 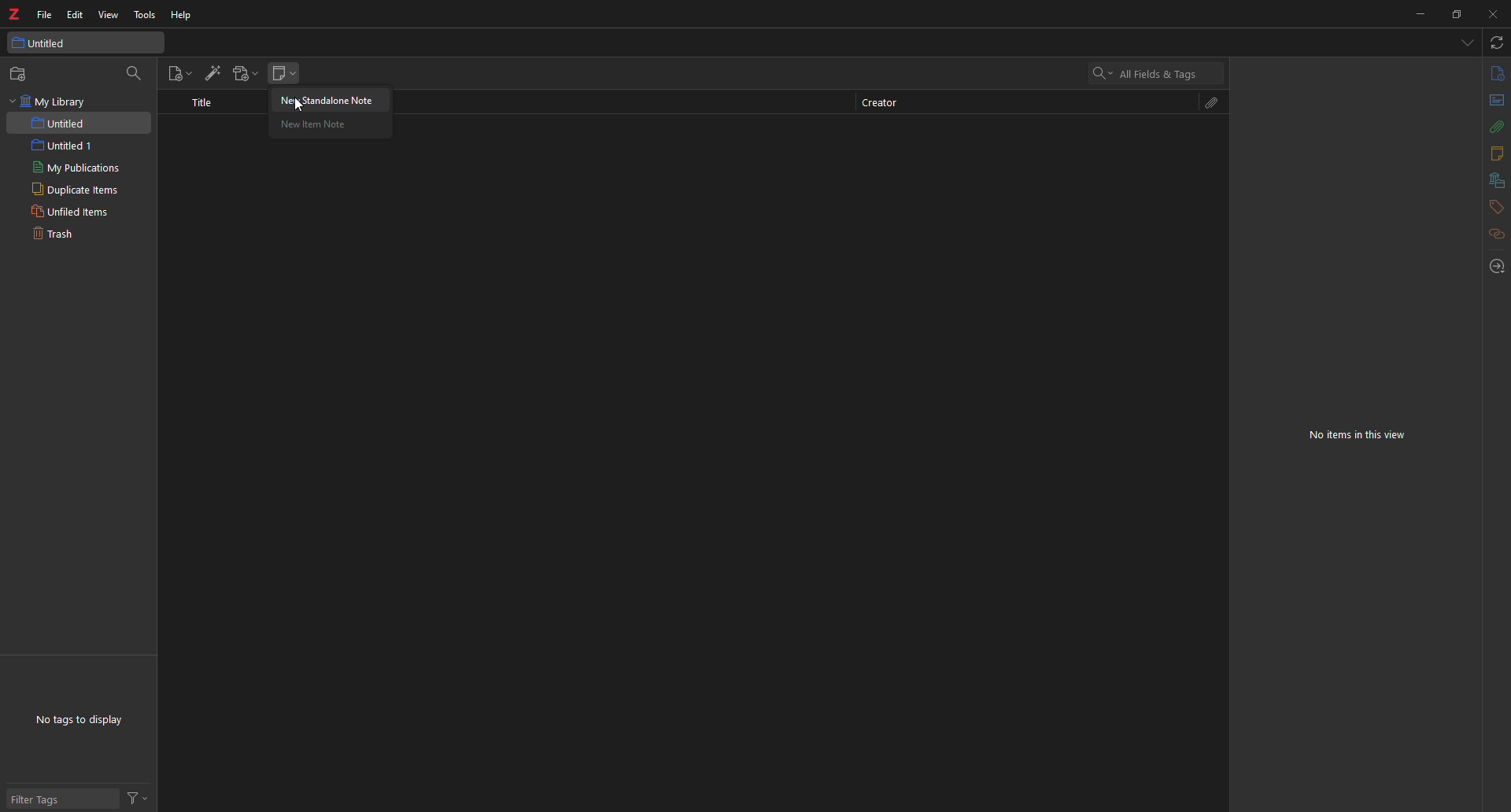 What do you see at coordinates (1492, 179) in the screenshot?
I see `library` at bounding box center [1492, 179].